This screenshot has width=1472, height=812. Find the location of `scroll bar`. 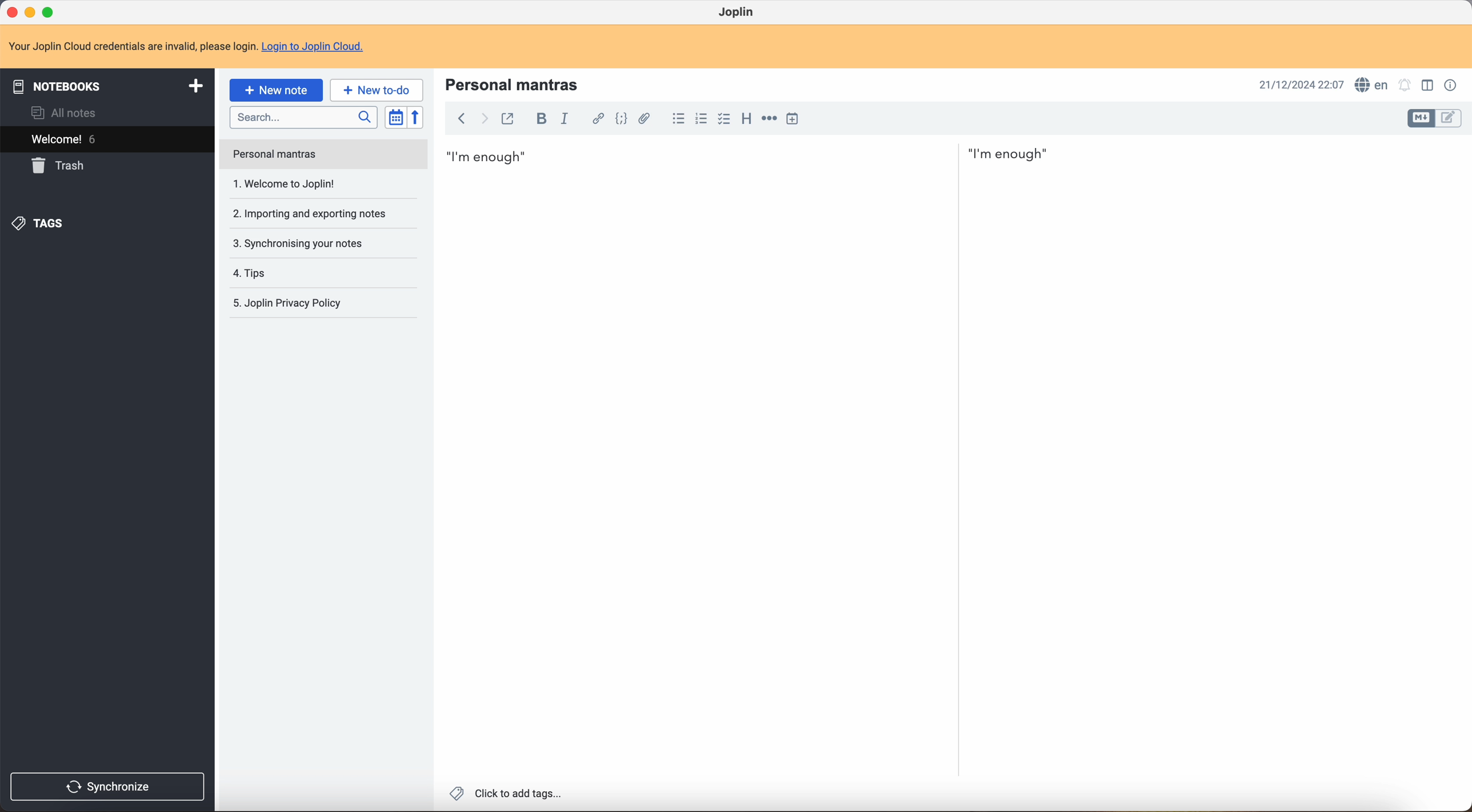

scroll bar is located at coordinates (1463, 360).